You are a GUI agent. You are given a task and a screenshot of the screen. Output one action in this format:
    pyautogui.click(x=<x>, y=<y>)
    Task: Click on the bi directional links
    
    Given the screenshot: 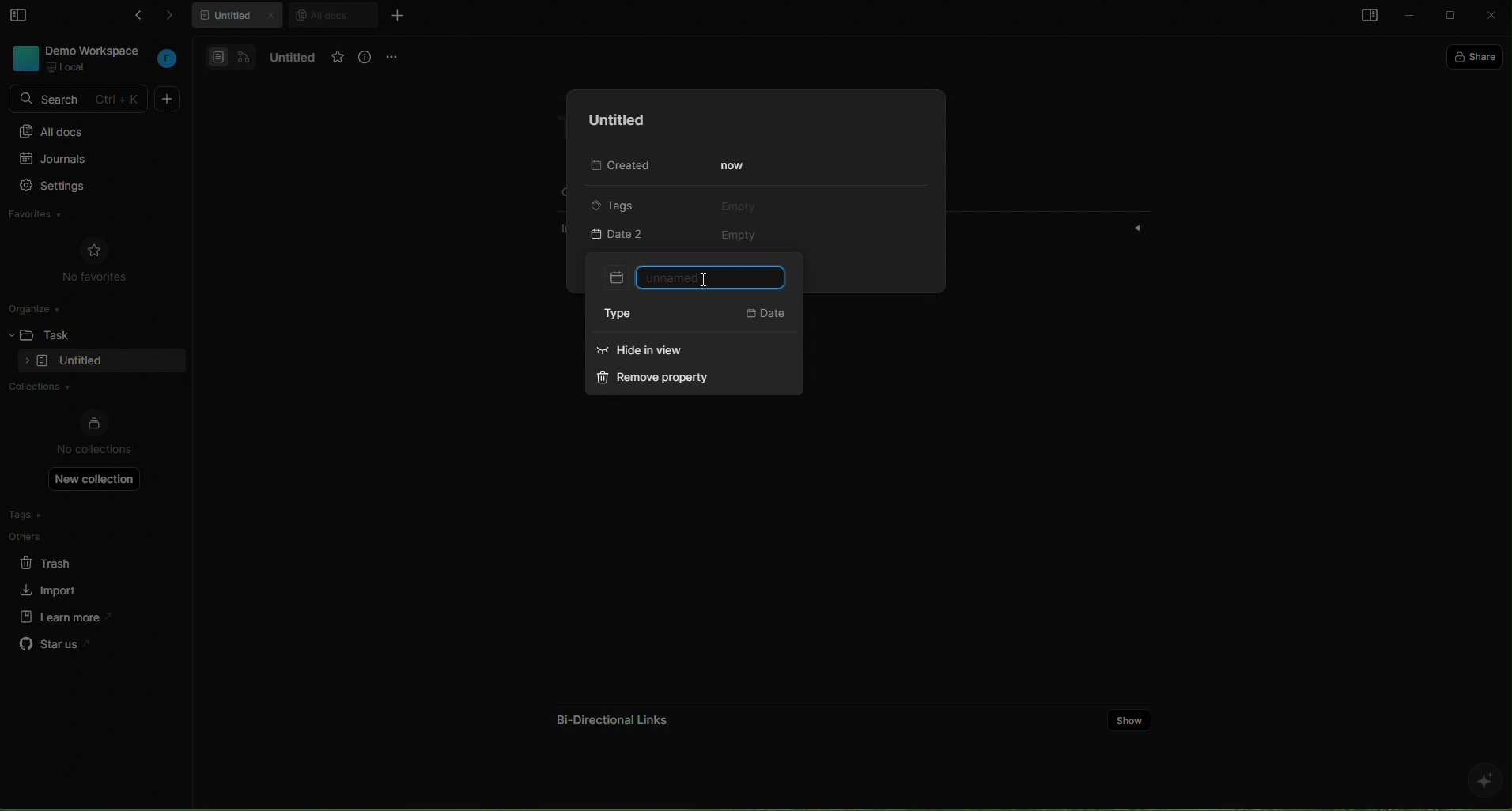 What is the action you would take?
    pyautogui.click(x=609, y=715)
    